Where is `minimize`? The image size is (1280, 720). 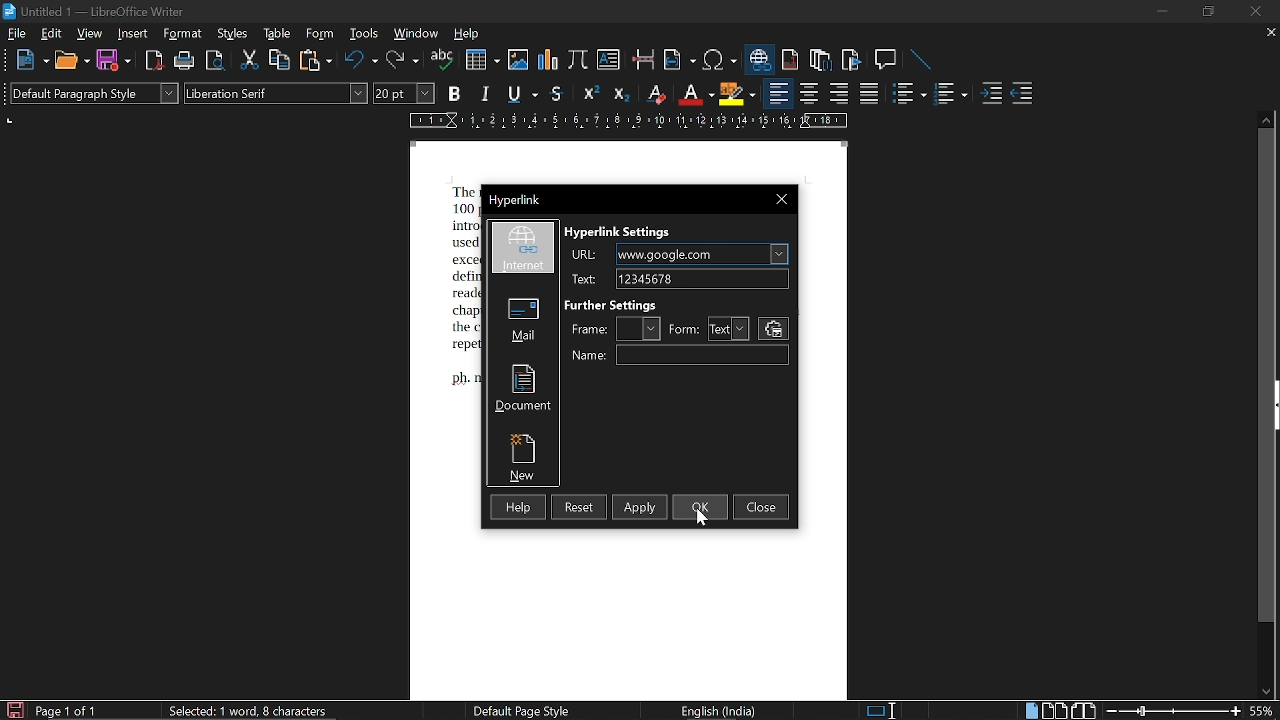
minimize is located at coordinates (1162, 12).